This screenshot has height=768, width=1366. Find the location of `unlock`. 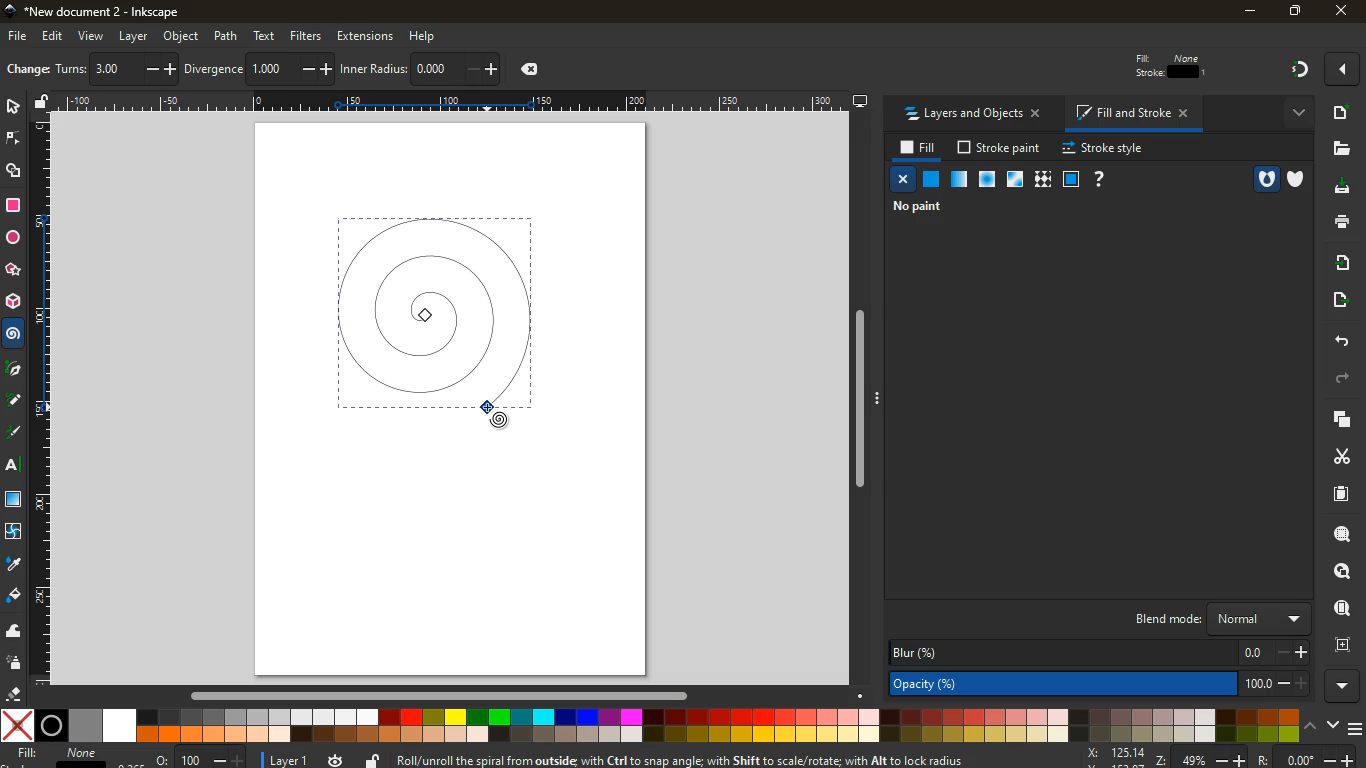

unlock is located at coordinates (372, 760).